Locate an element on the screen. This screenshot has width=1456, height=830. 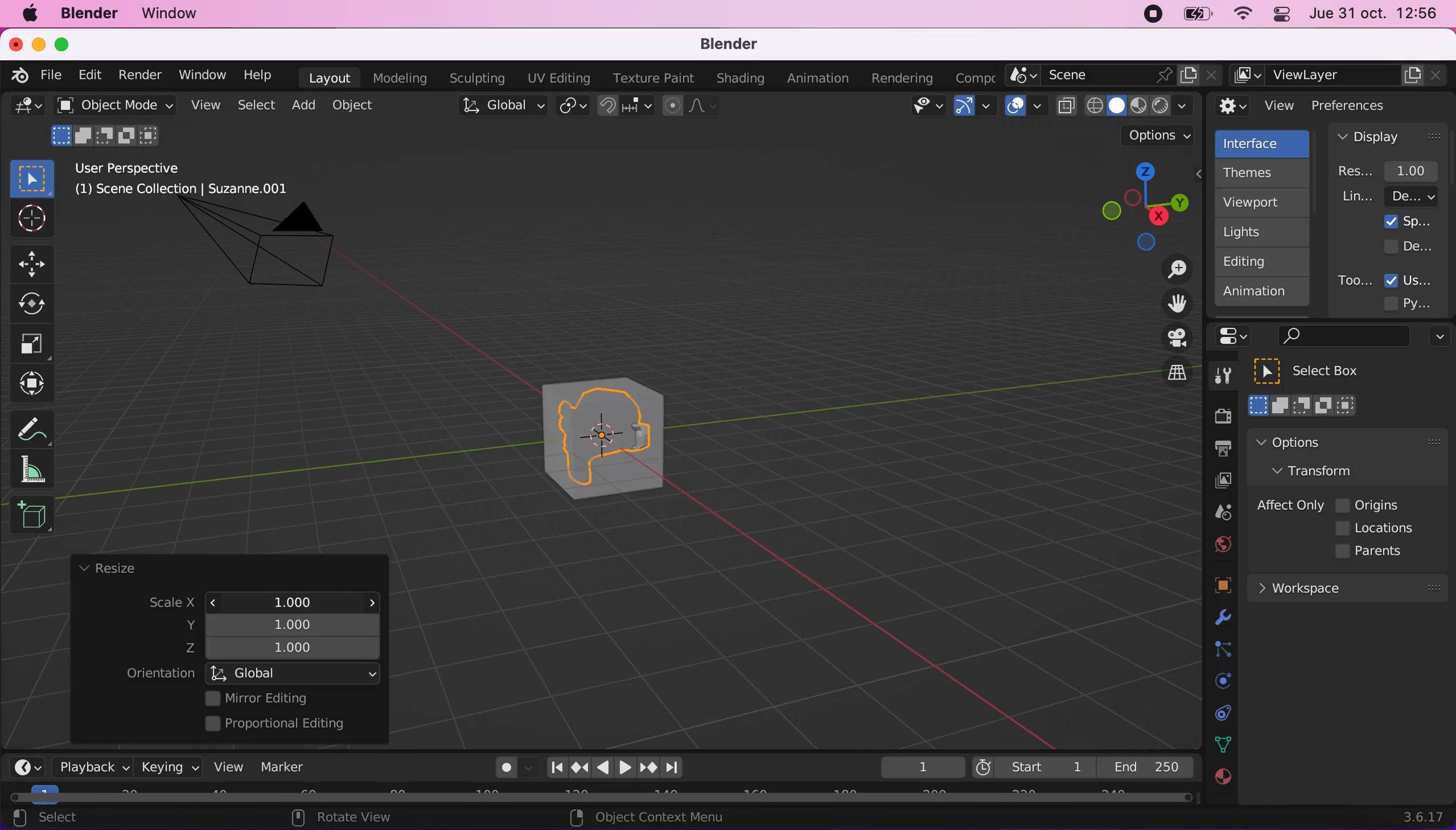
transform is located at coordinates (35, 384).